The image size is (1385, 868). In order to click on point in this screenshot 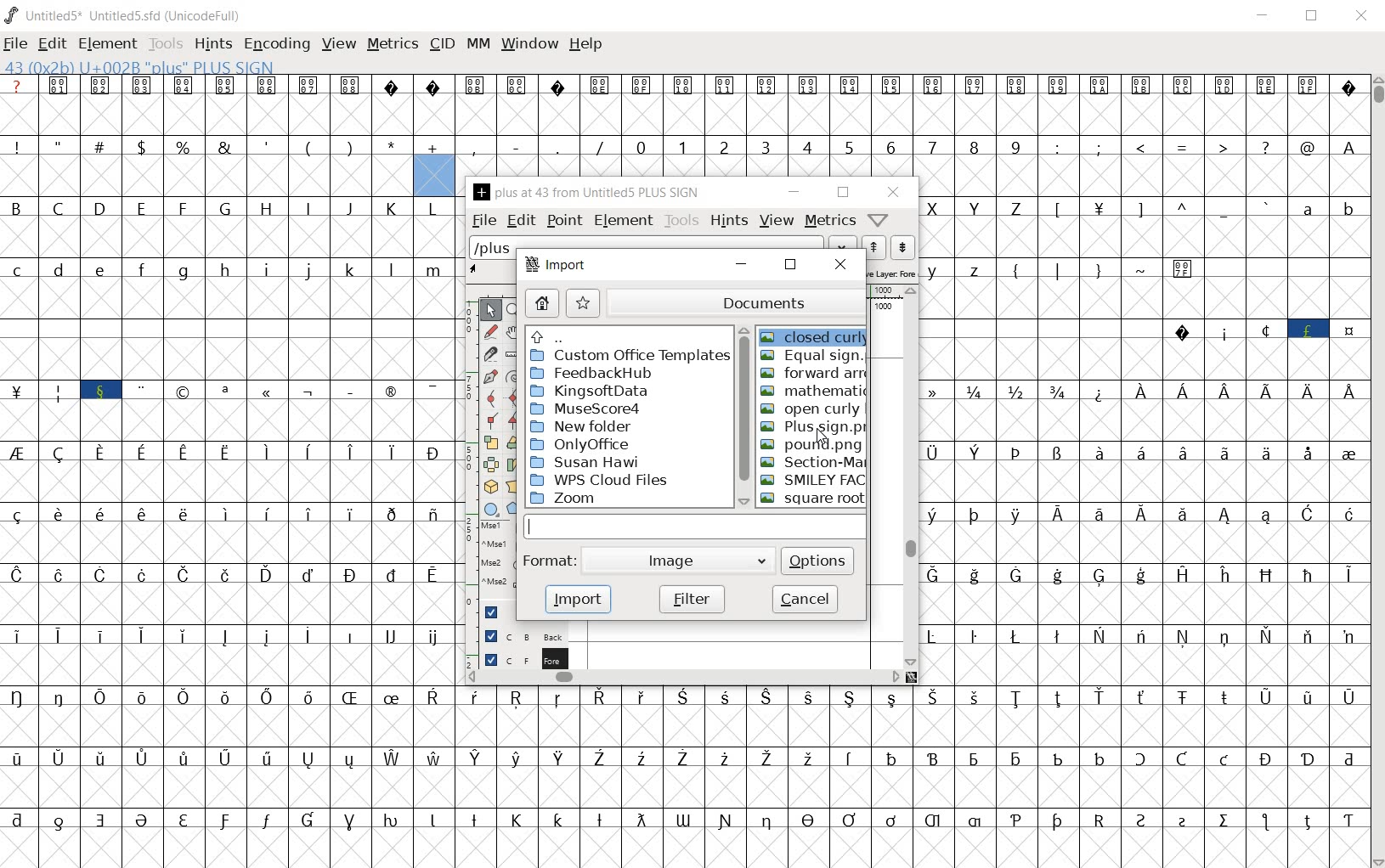, I will do `click(562, 220)`.